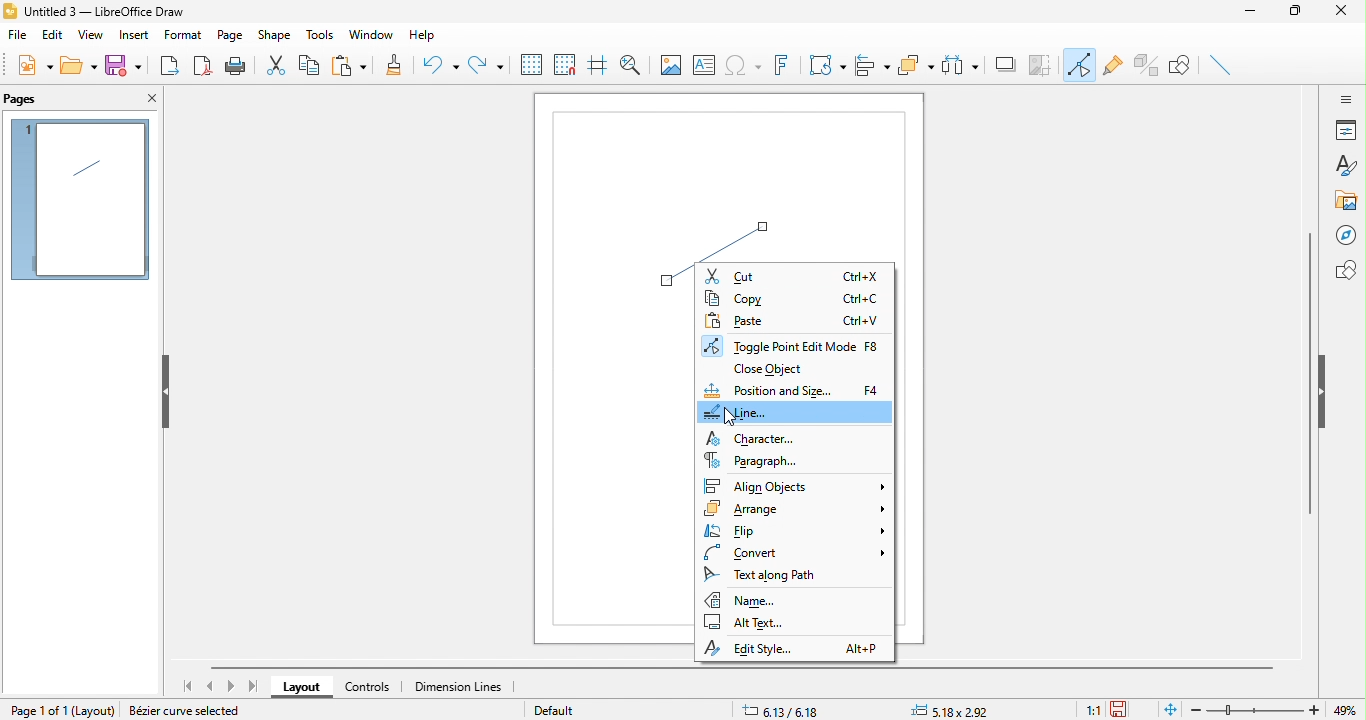  What do you see at coordinates (203, 67) in the screenshot?
I see `export directly as pdf` at bounding box center [203, 67].